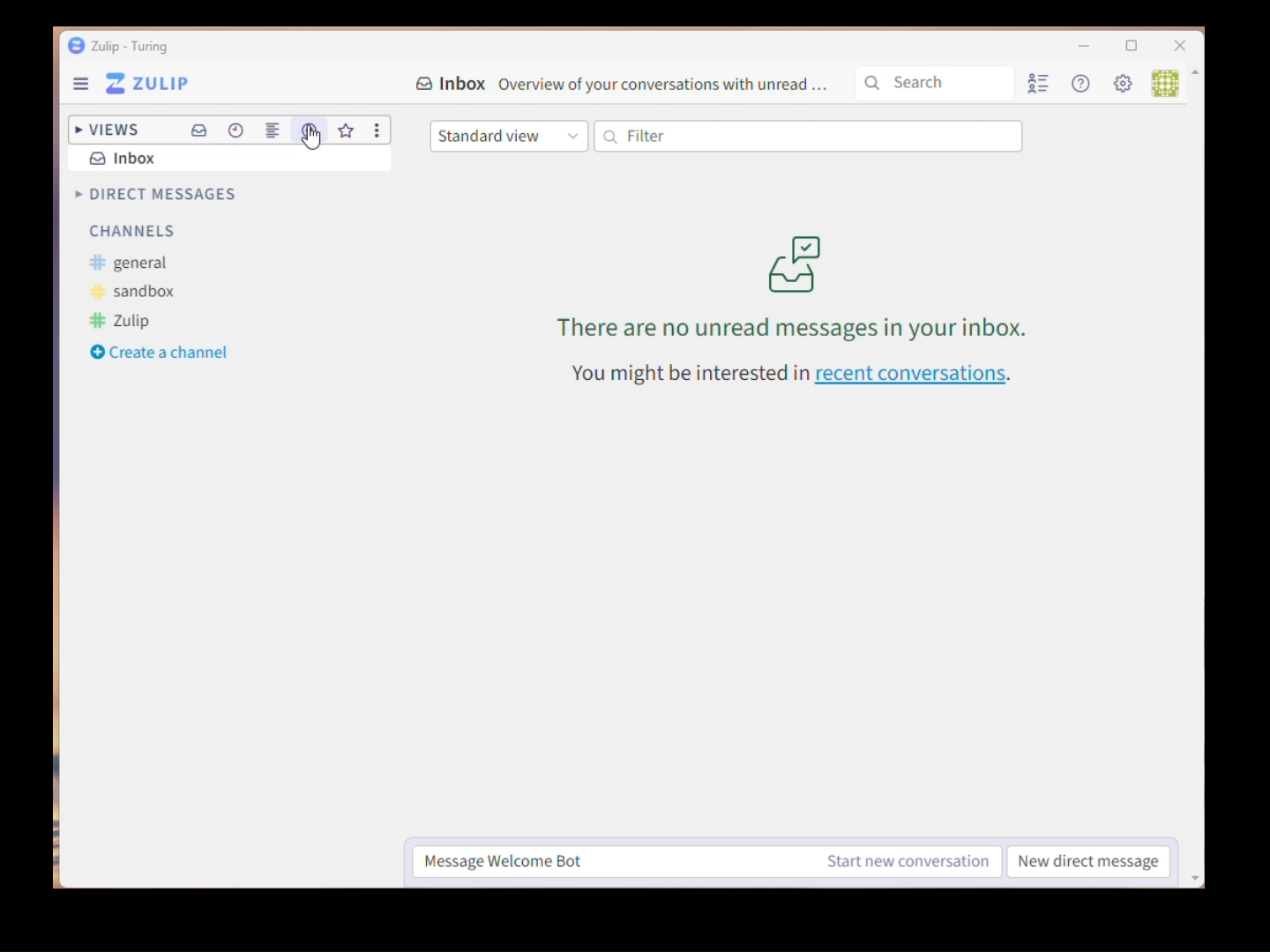  What do you see at coordinates (1136, 49) in the screenshot?
I see `Box` at bounding box center [1136, 49].